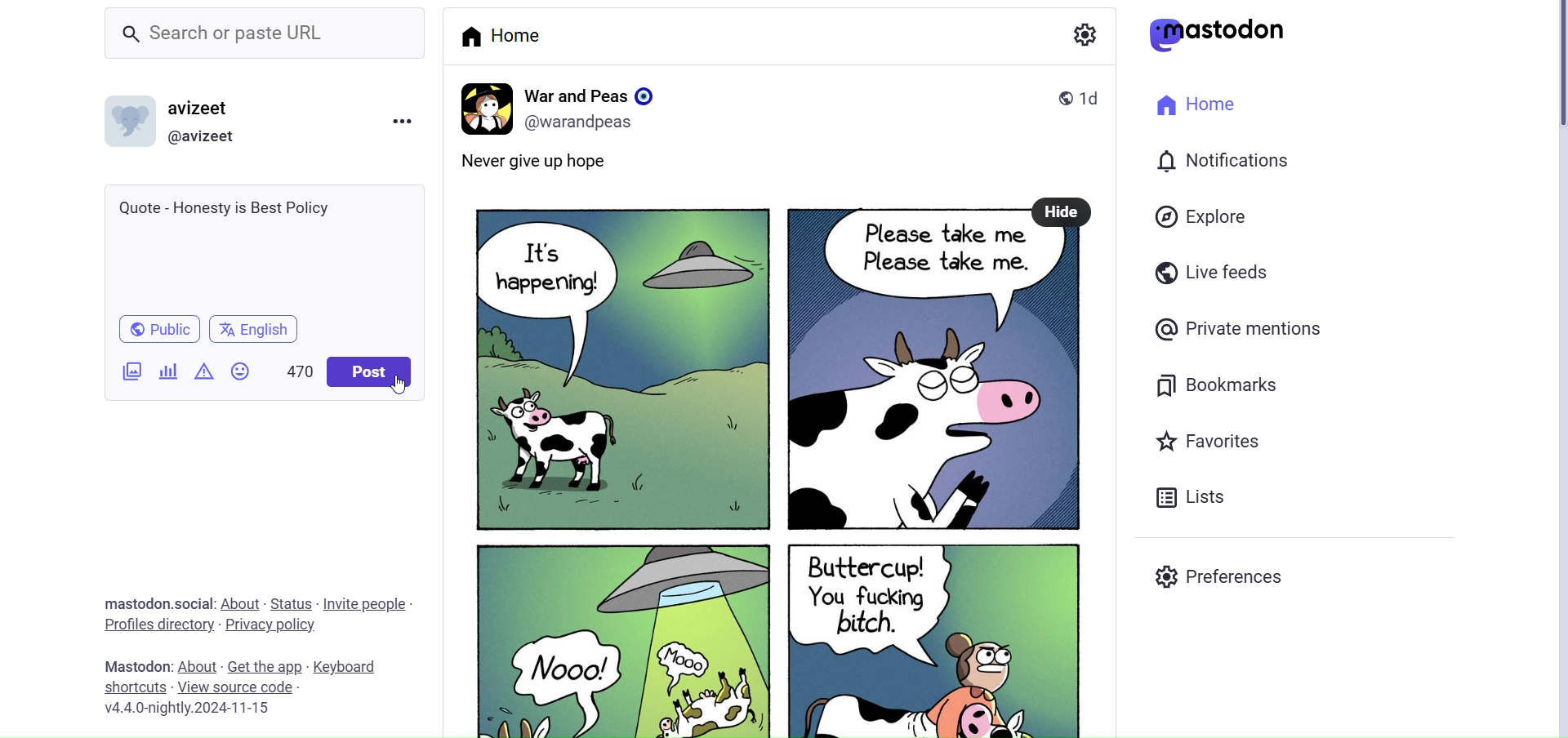 The image size is (1568, 738). Describe the element at coordinates (1211, 273) in the screenshot. I see `Live Feeds` at that location.